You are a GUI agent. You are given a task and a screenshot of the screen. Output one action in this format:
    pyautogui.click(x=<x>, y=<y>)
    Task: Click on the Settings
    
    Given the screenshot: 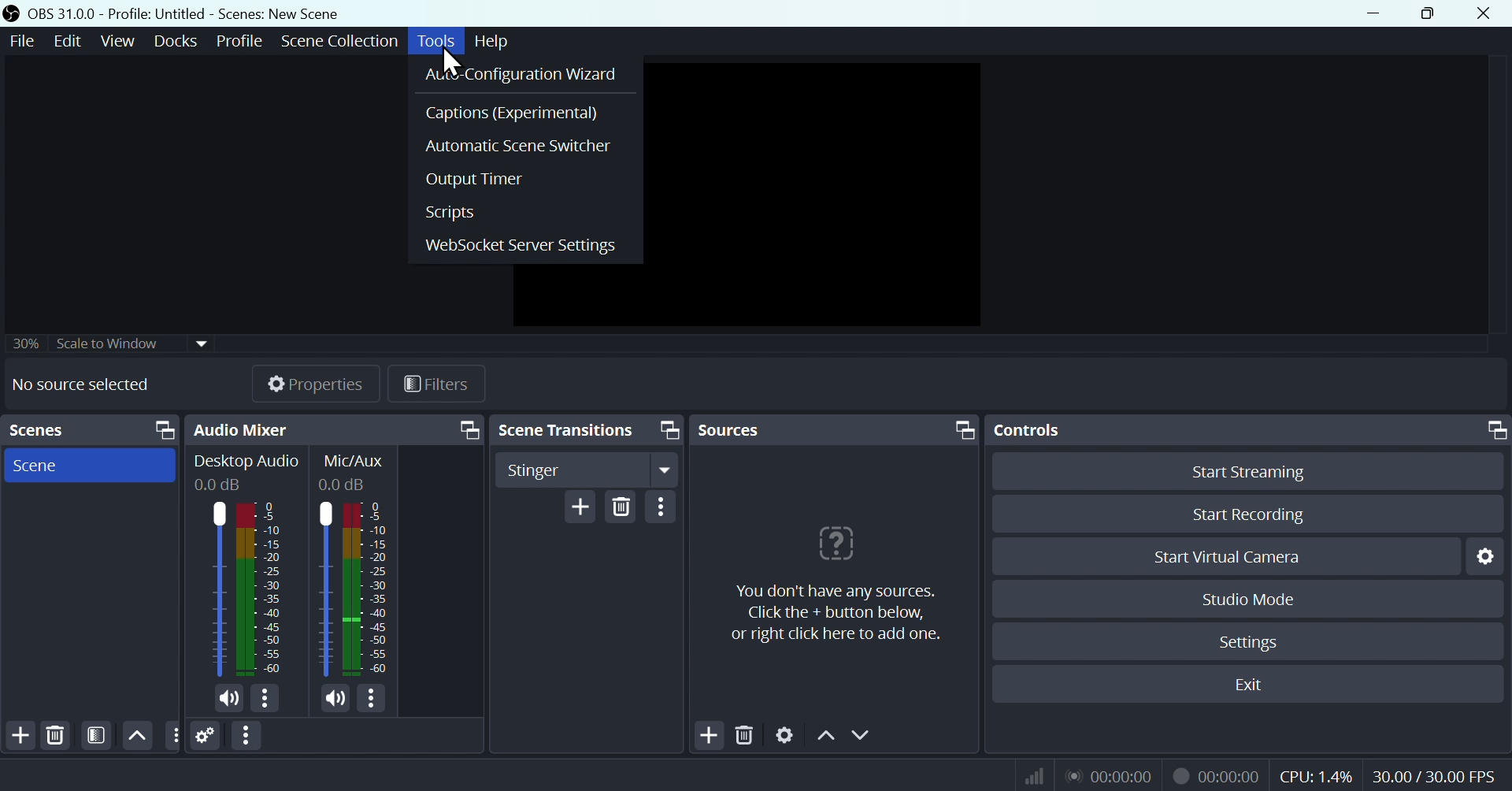 What is the action you would take?
    pyautogui.click(x=1483, y=556)
    